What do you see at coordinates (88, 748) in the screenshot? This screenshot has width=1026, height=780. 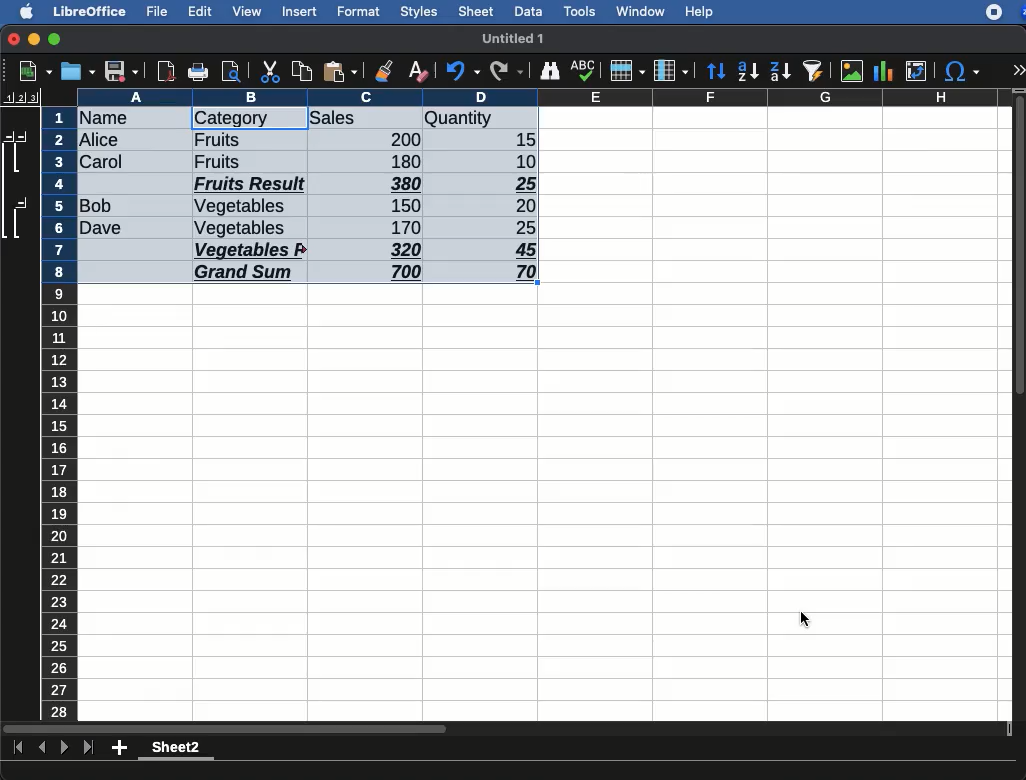 I see `last sheet` at bounding box center [88, 748].